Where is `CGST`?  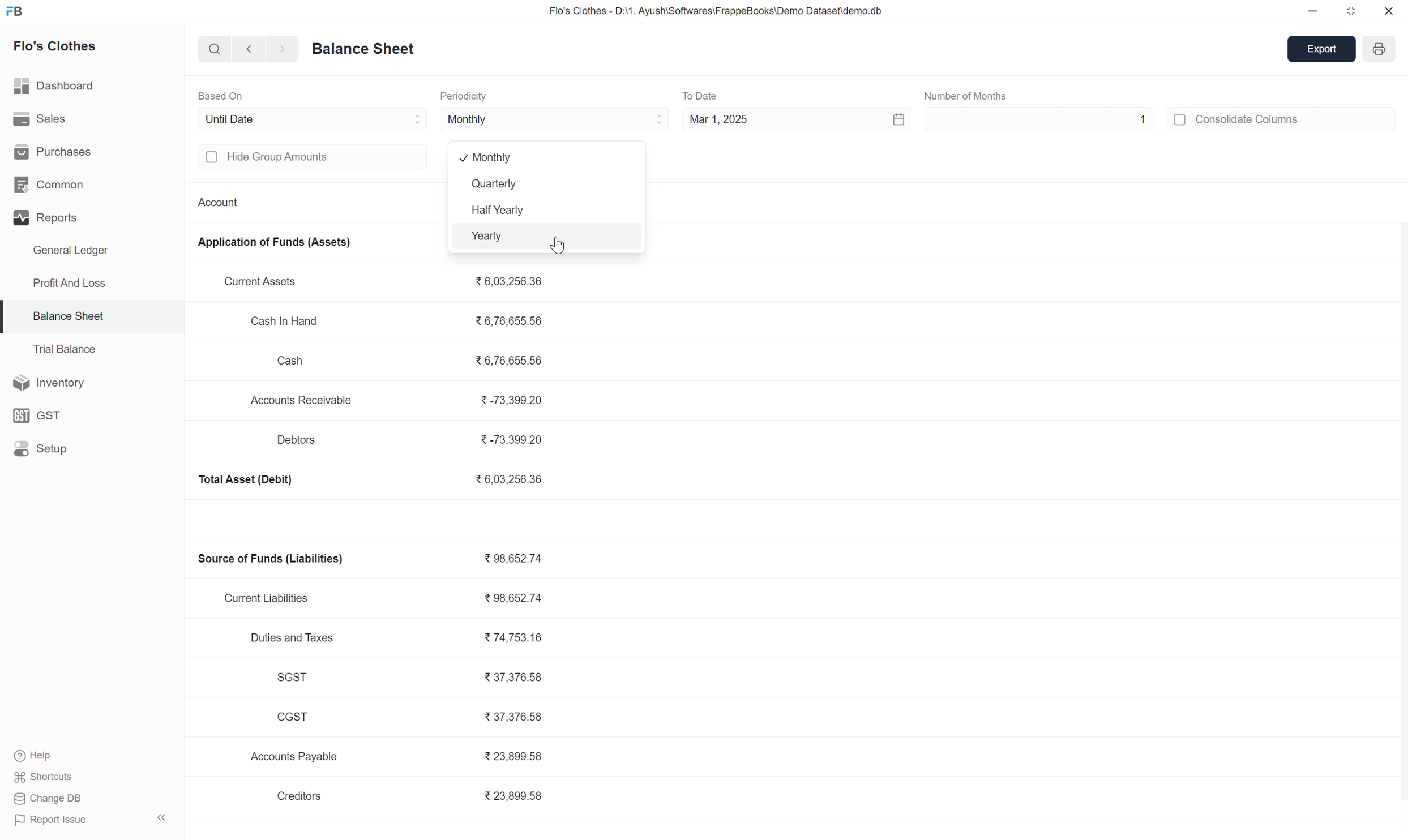
CGST is located at coordinates (298, 718).